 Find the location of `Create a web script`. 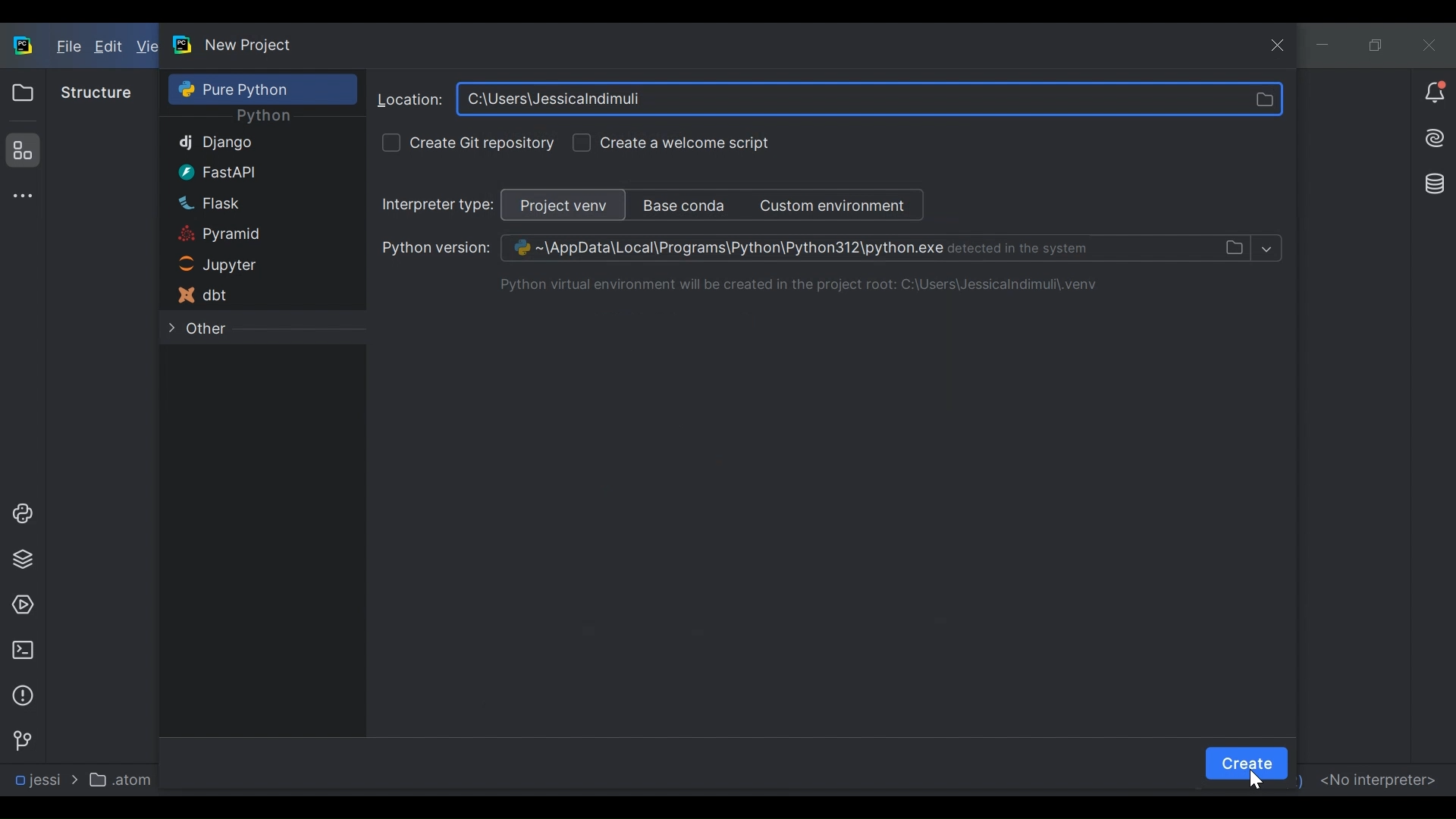

Create a web script is located at coordinates (687, 143).